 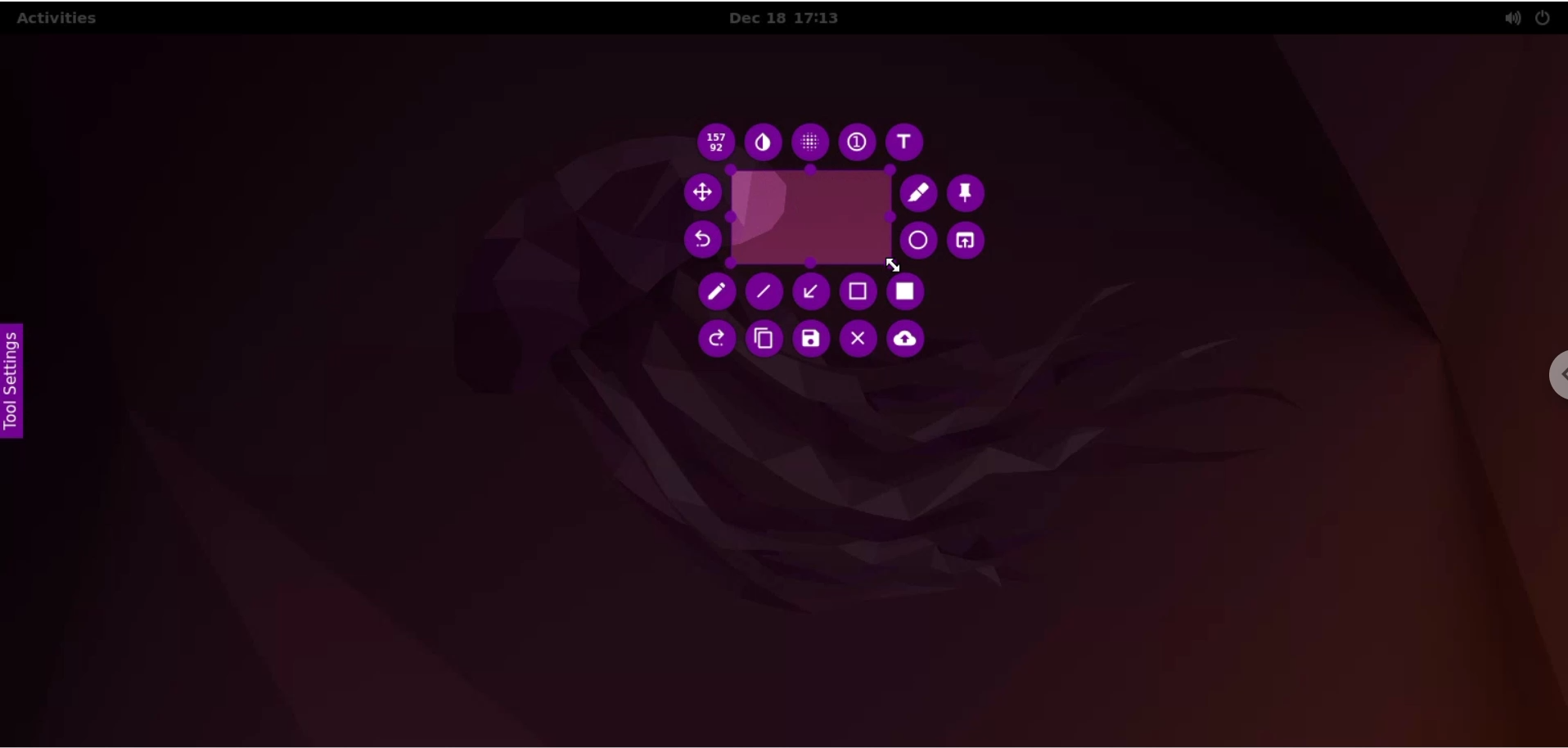 What do you see at coordinates (763, 142) in the screenshot?
I see `set inverter as paint tool` at bounding box center [763, 142].